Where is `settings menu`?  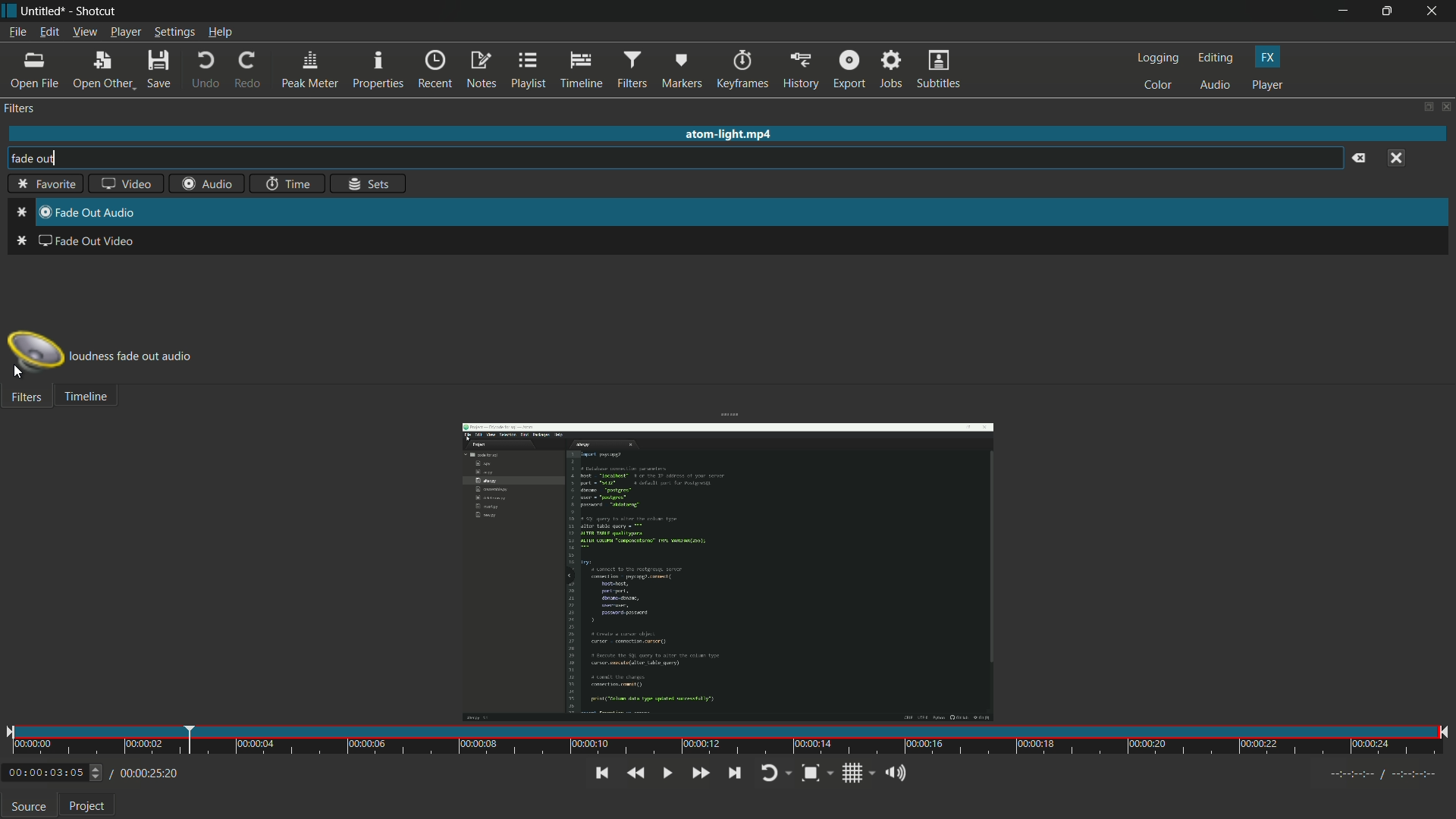
settings menu is located at coordinates (175, 33).